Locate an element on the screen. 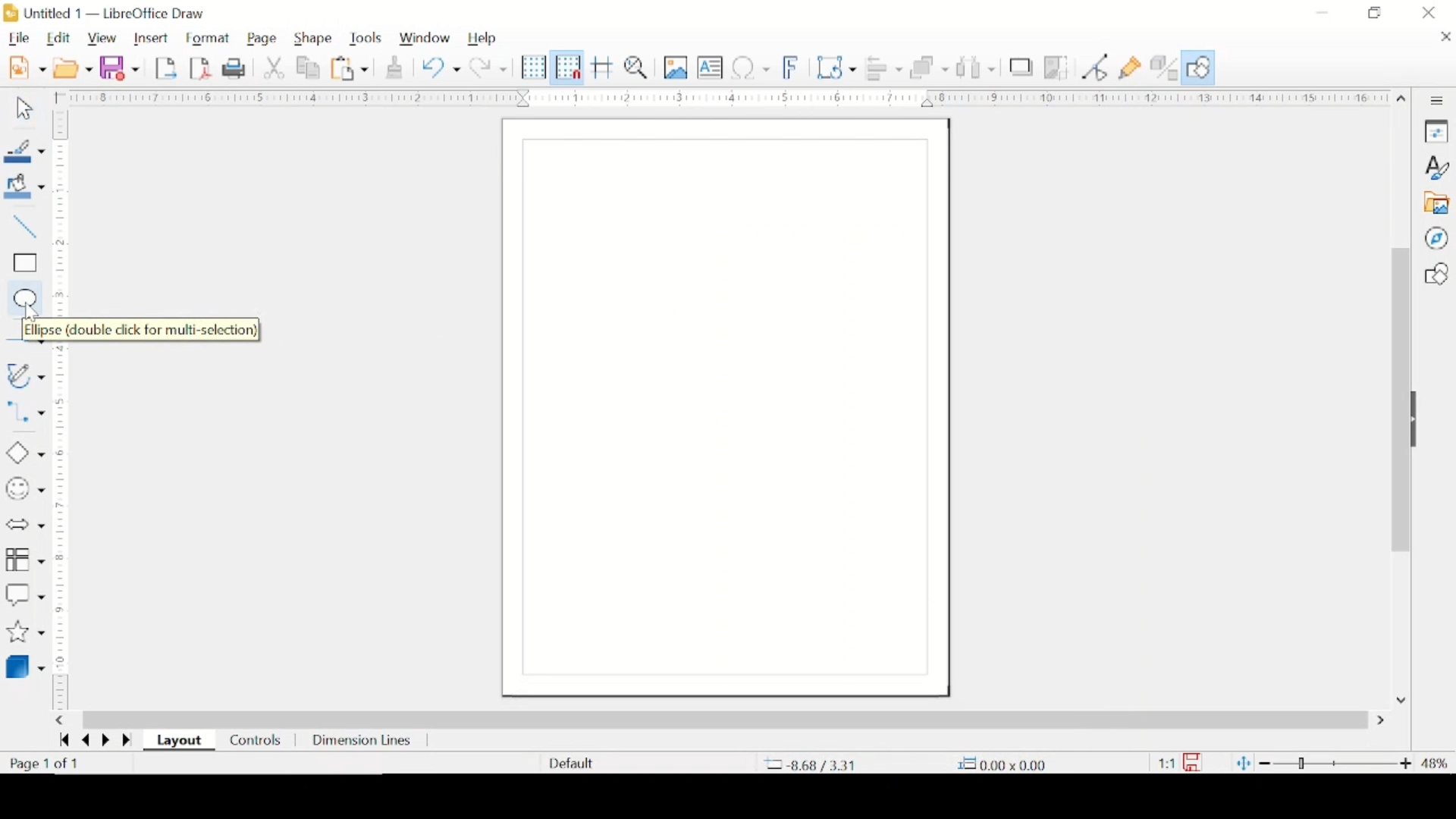 The image size is (1456, 819). zoom level is located at coordinates (1434, 763).